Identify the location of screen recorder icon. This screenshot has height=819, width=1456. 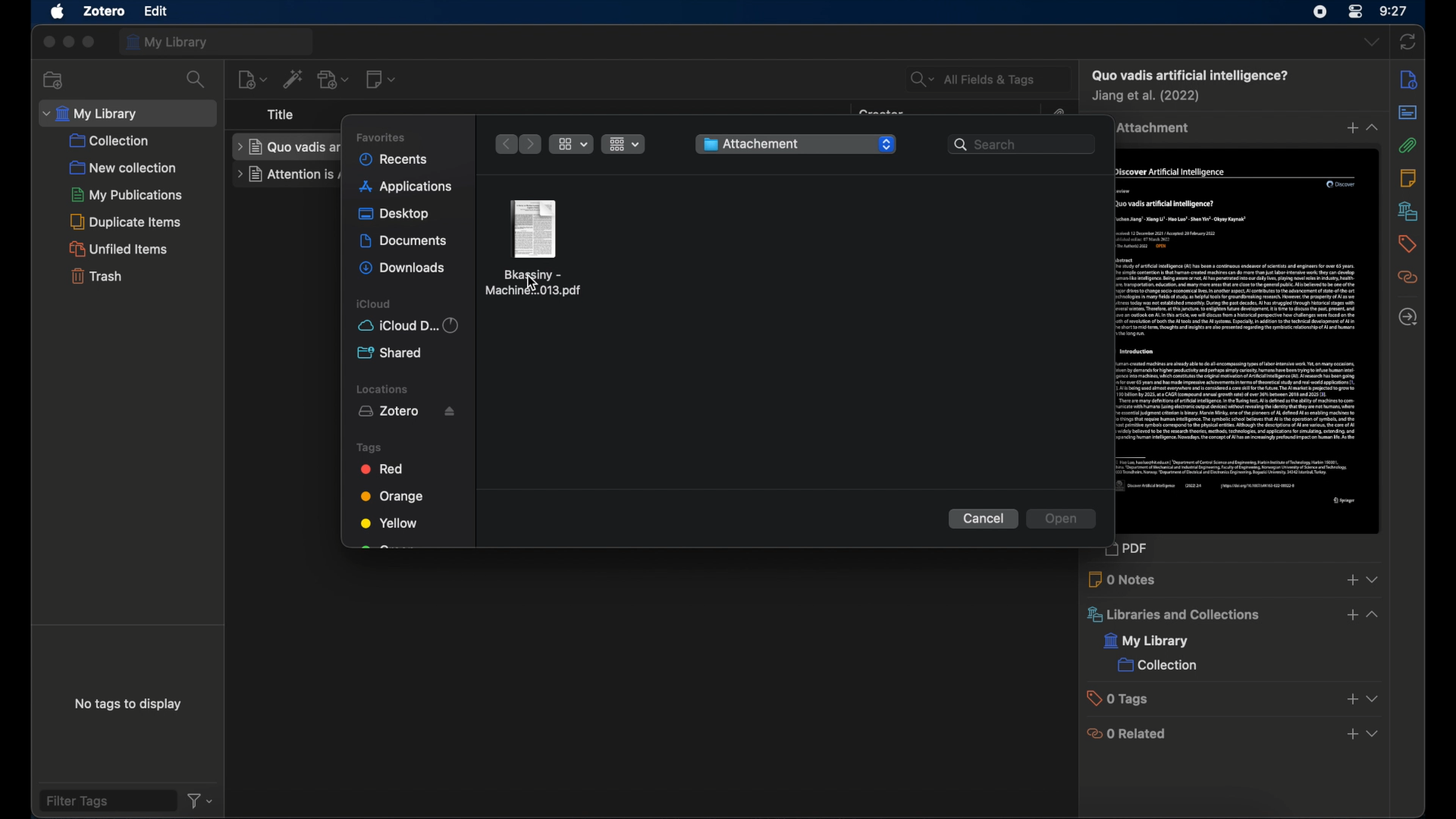
(1316, 12).